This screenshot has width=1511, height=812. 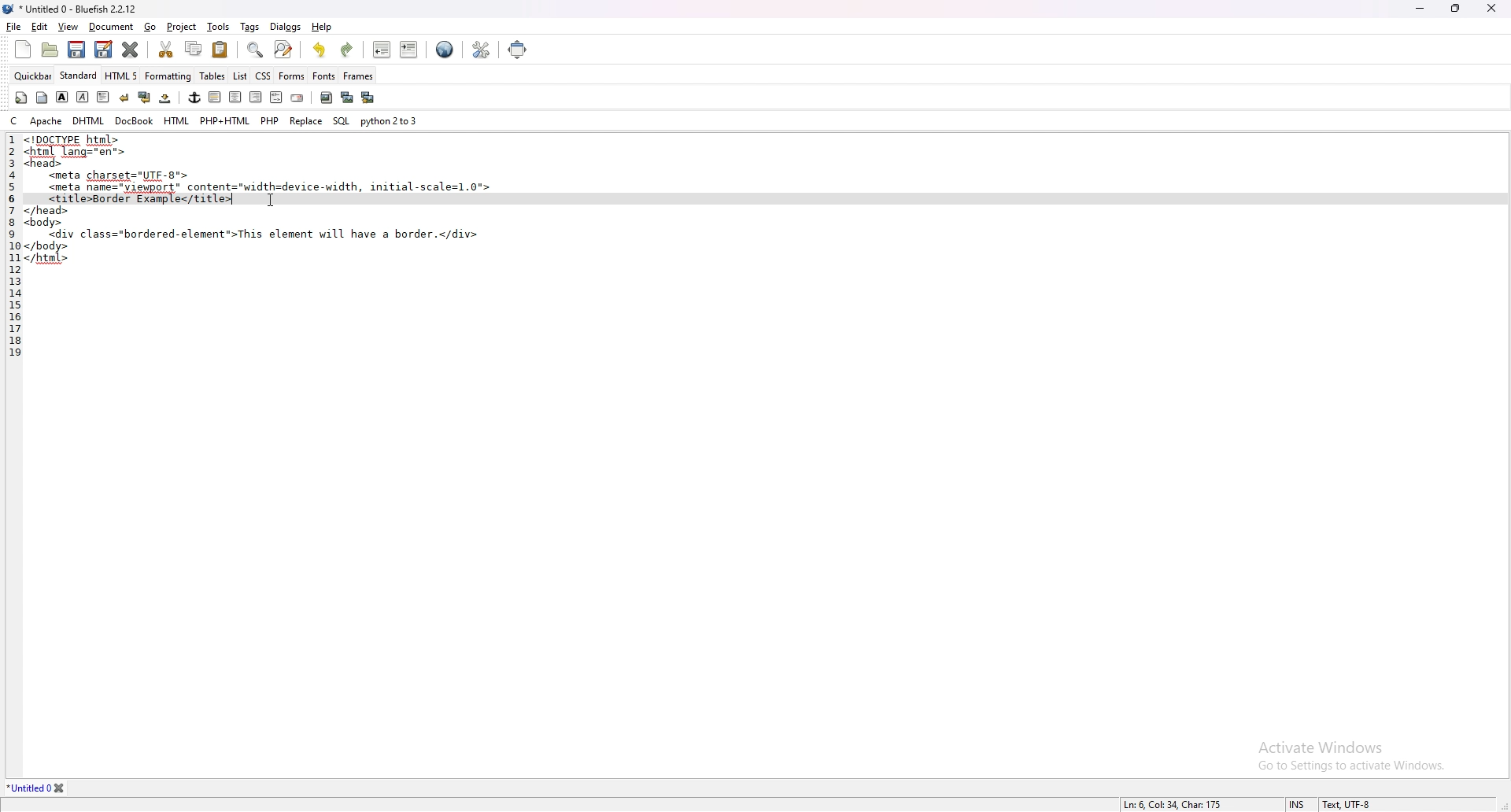 I want to click on edit in browser, so click(x=445, y=50).